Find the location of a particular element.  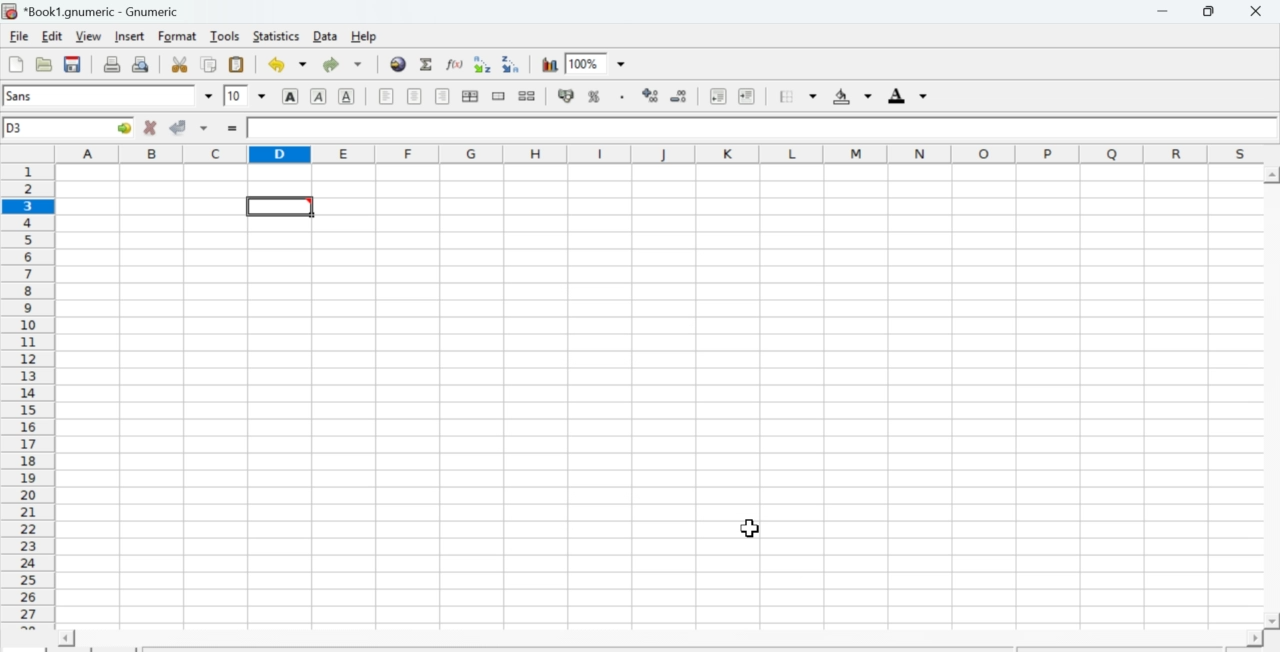

Italics is located at coordinates (318, 96).